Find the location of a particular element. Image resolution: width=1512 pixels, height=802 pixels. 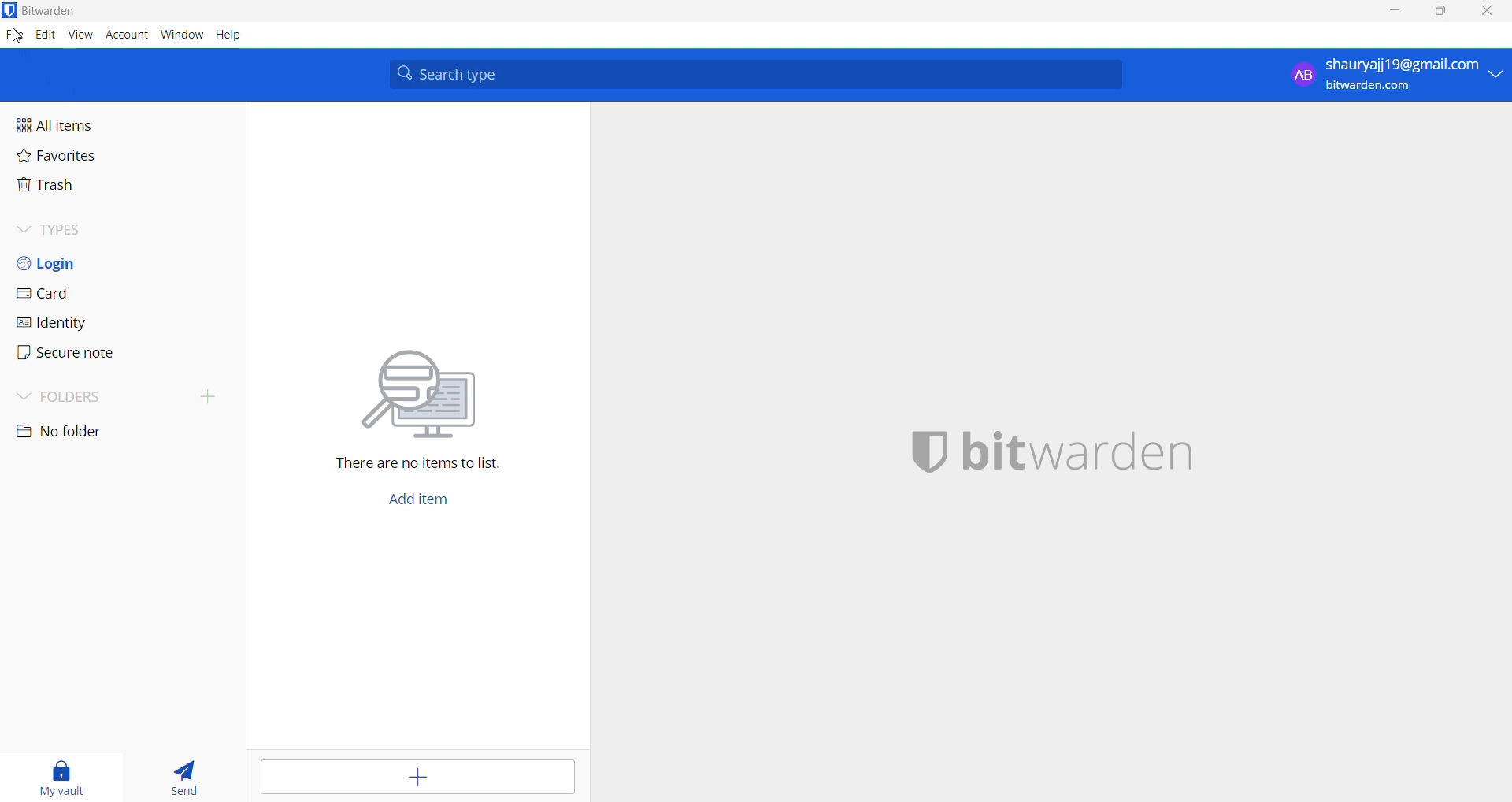

bitwarden logo is located at coordinates (46, 11).